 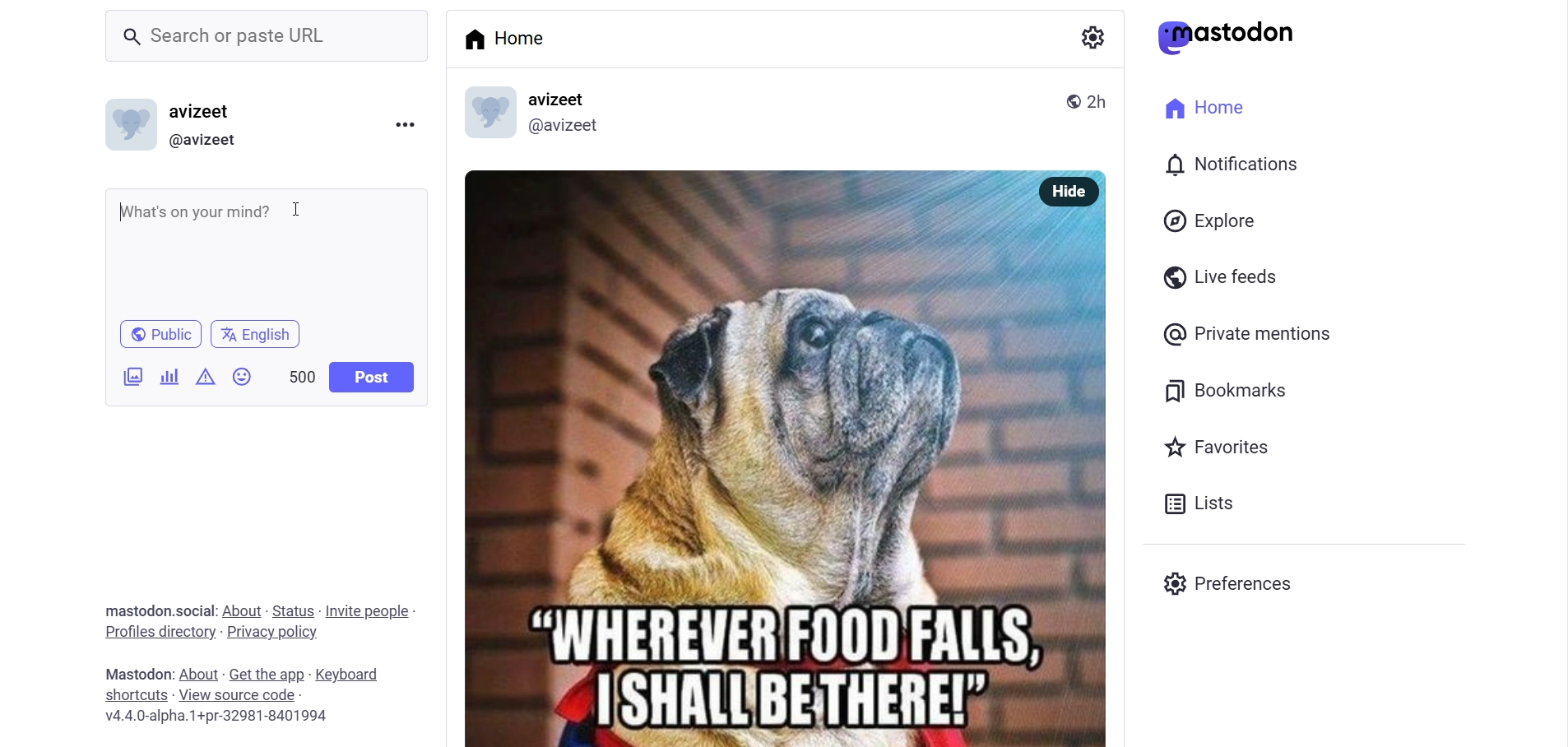 I want to click on Explore, so click(x=1211, y=220).